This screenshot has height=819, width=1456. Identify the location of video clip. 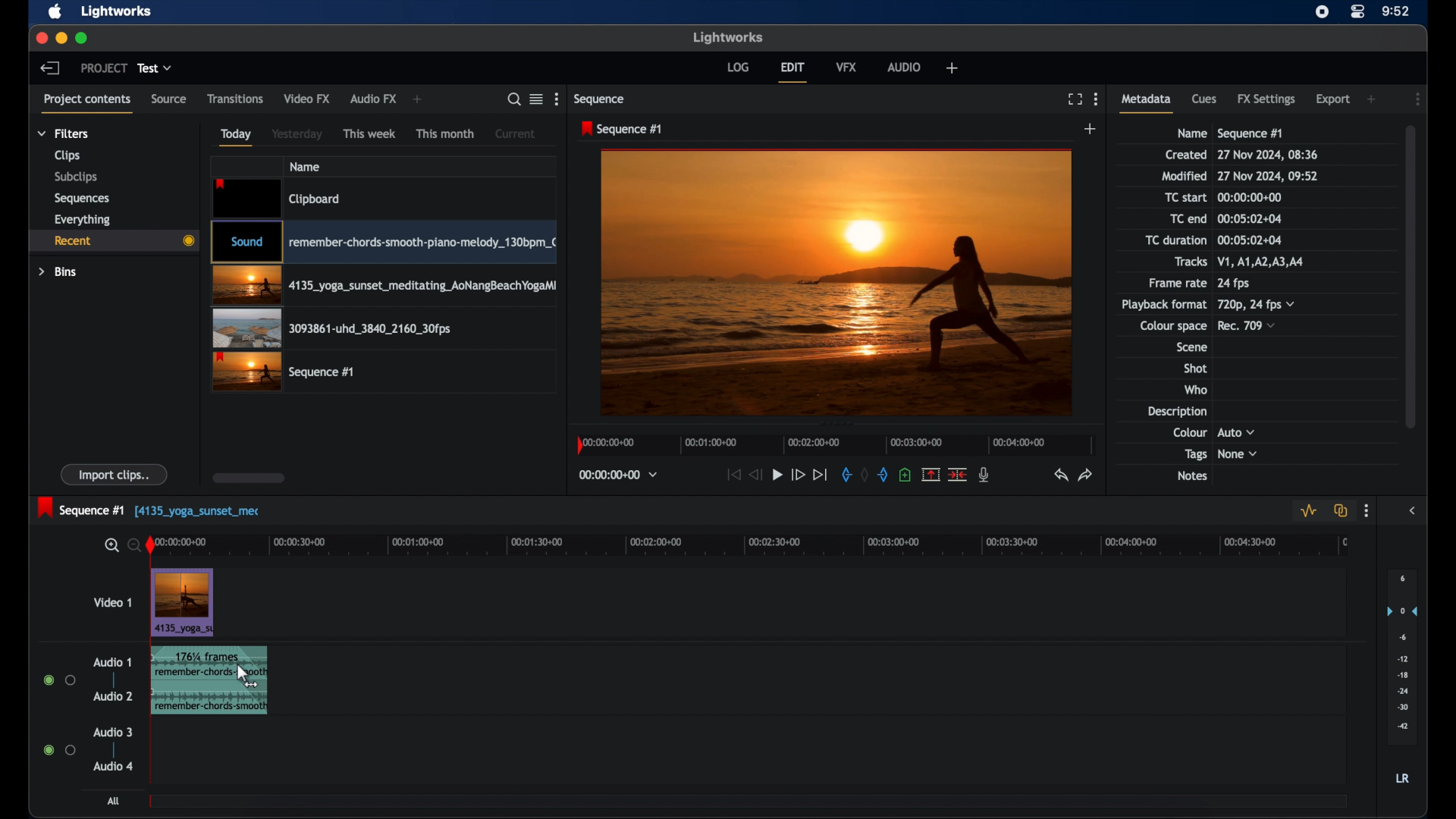
(278, 198).